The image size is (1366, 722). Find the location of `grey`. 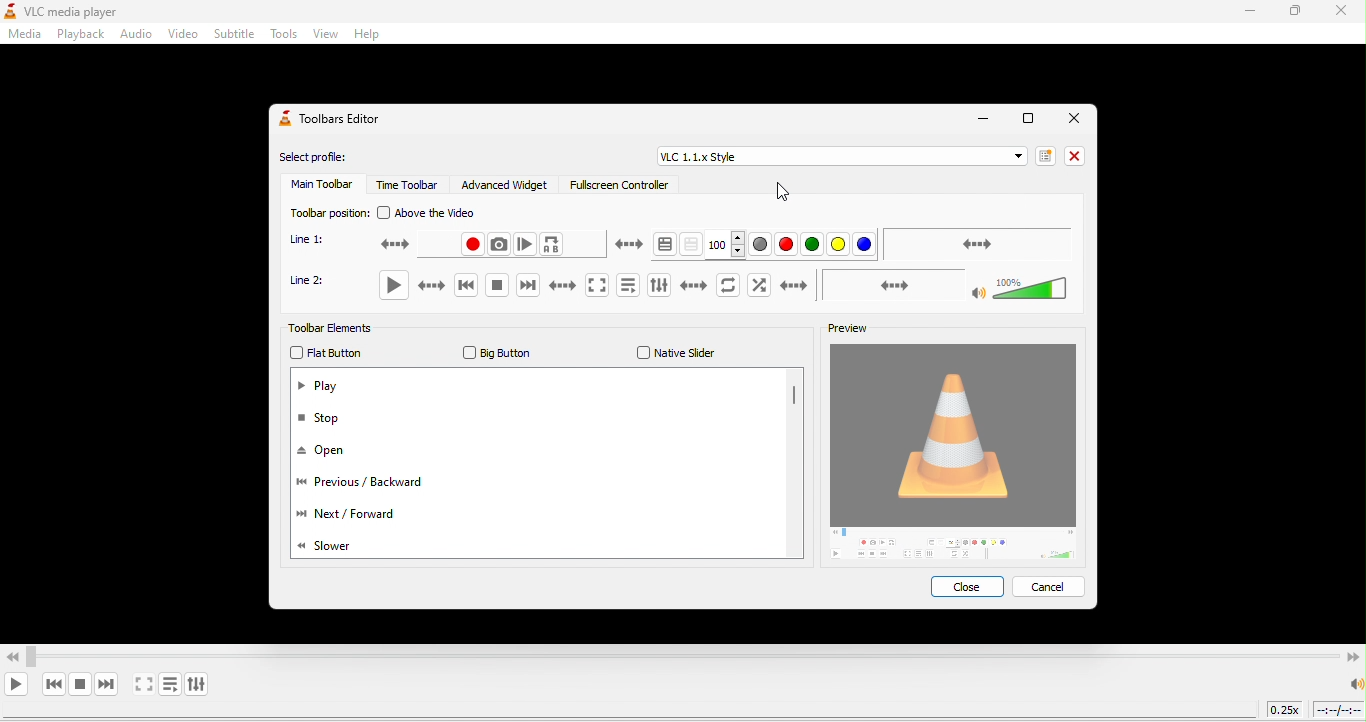

grey is located at coordinates (762, 244).